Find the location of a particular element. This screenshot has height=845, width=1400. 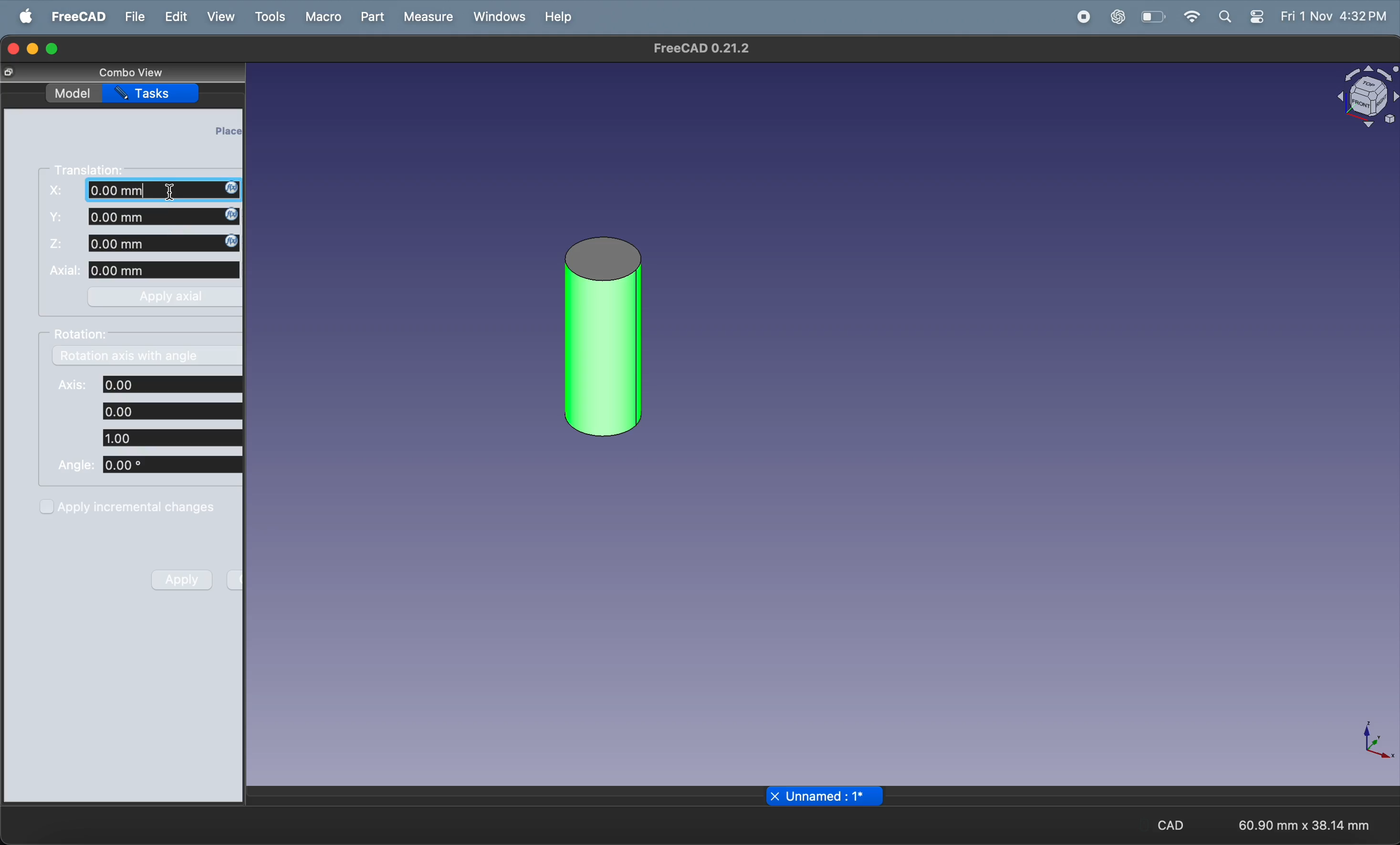

checkbox is located at coordinates (47, 508).